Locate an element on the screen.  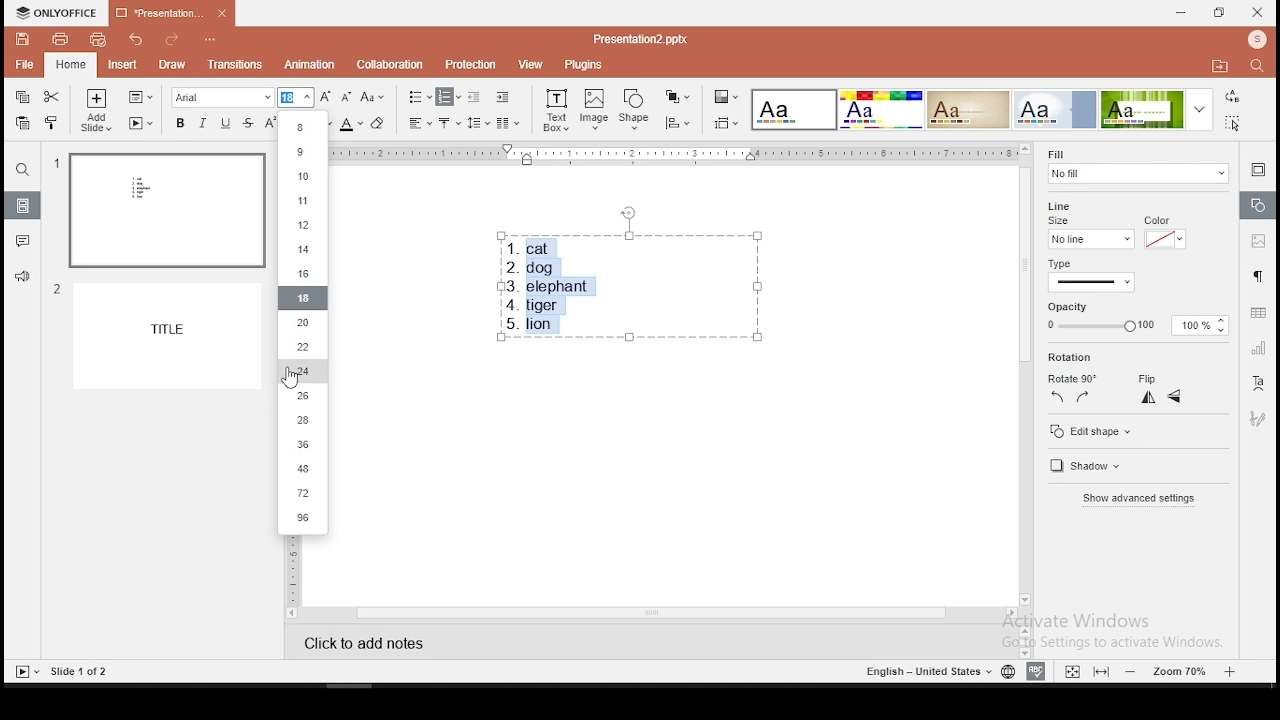
rotate 90 is located at coordinates (1074, 380).